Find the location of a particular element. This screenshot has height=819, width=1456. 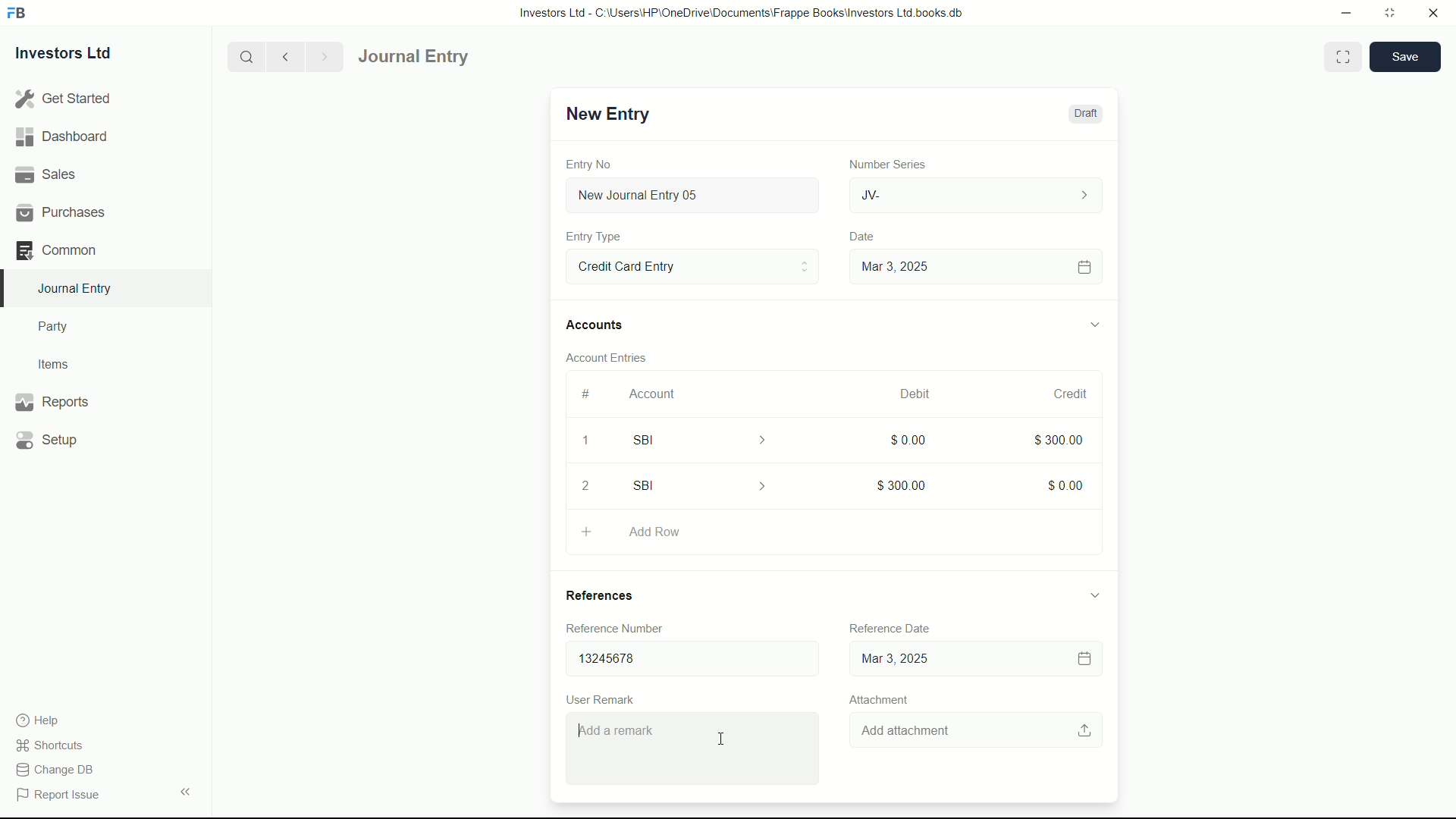

save is located at coordinates (1406, 57).